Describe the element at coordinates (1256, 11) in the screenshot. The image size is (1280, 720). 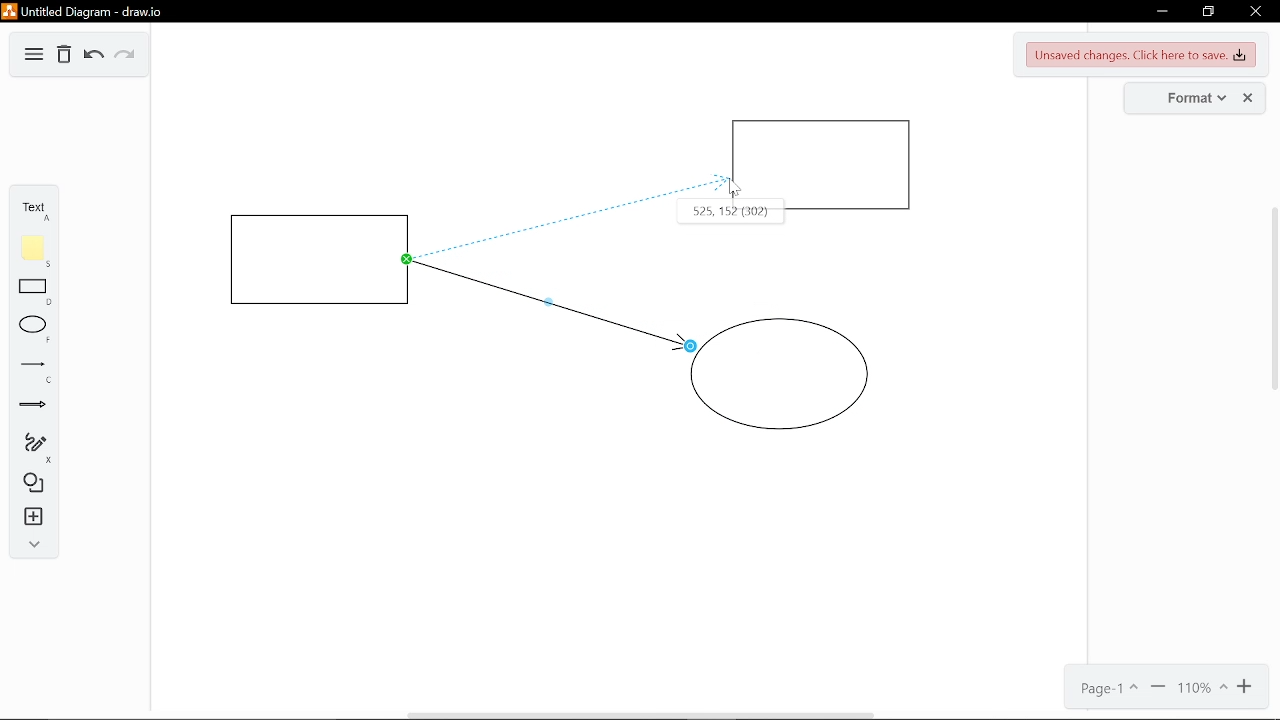
I see `Close` at that location.